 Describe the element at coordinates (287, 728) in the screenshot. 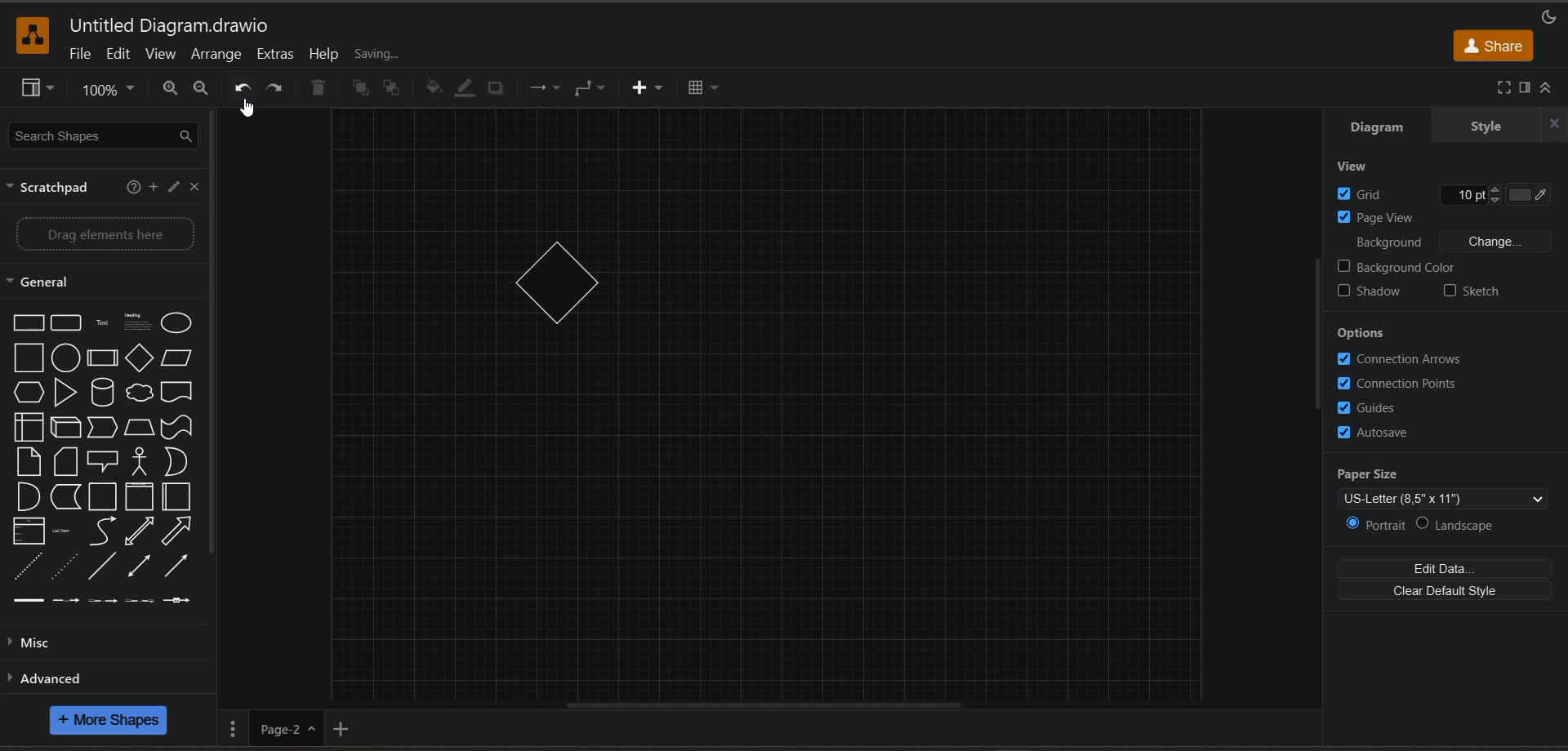

I see `page name` at that location.